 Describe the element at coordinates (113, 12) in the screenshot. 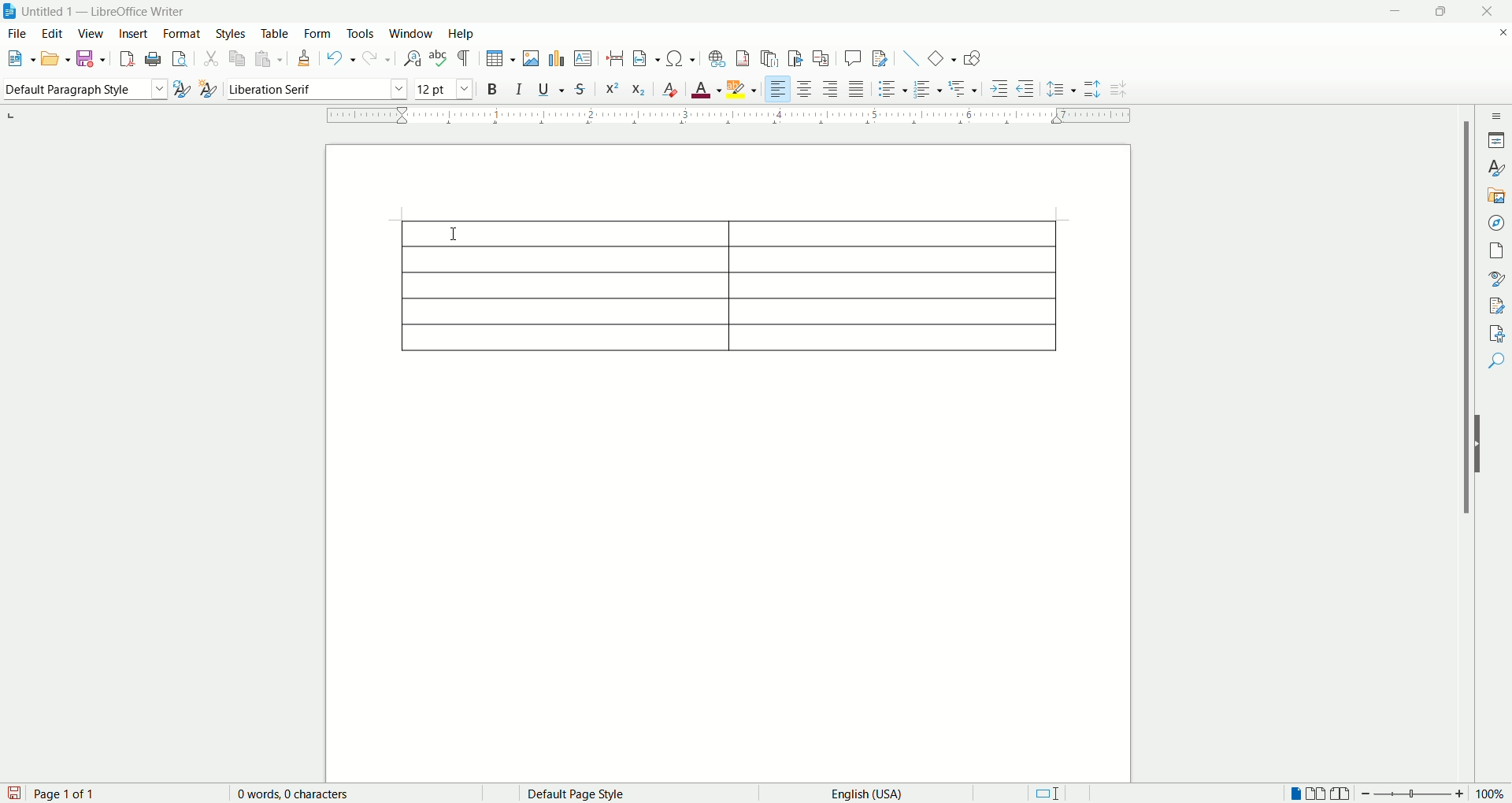

I see `document name` at that location.